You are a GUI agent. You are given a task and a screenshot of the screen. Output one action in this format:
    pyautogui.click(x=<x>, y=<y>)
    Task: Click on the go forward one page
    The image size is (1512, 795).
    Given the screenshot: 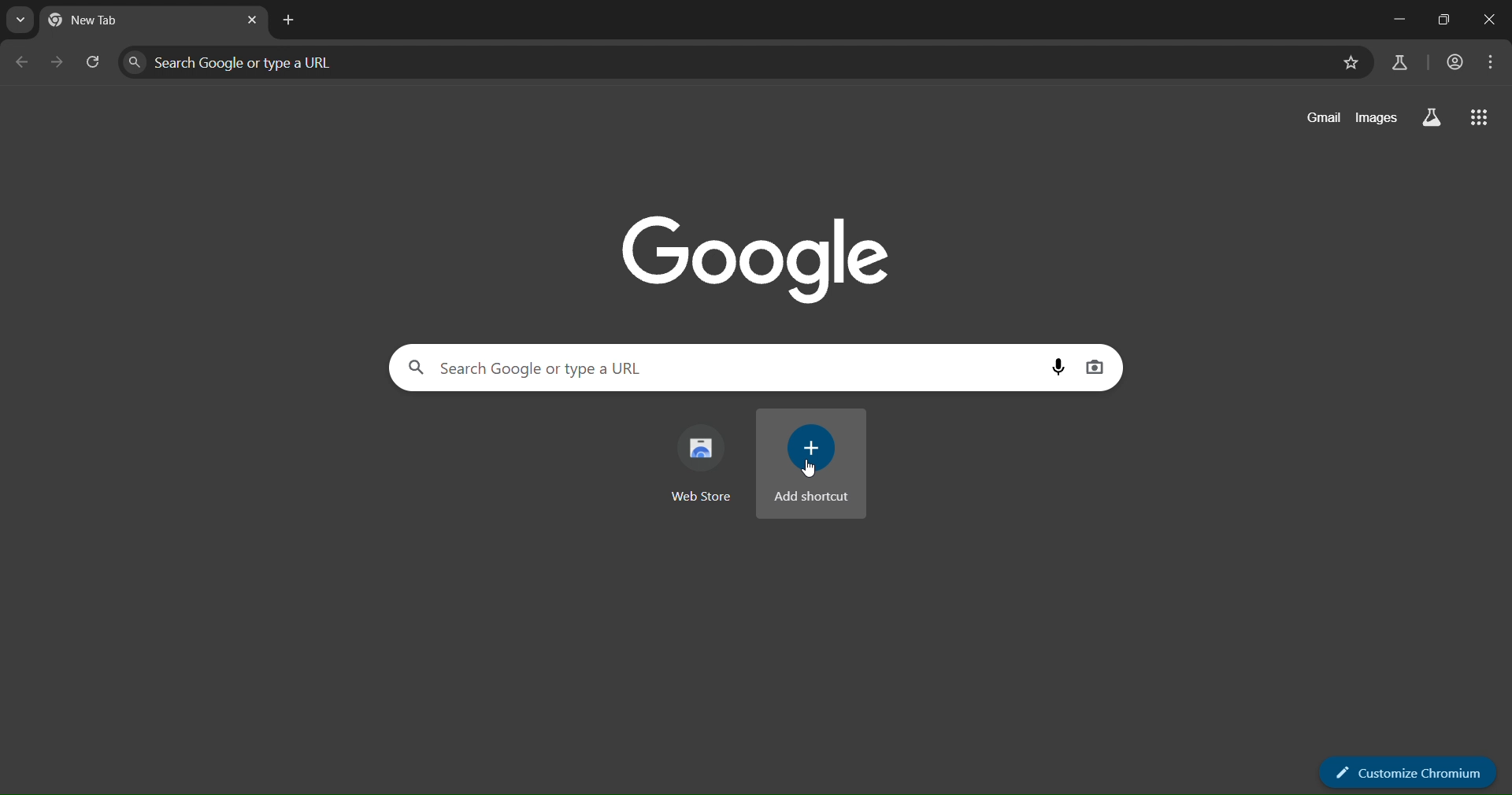 What is the action you would take?
    pyautogui.click(x=58, y=65)
    